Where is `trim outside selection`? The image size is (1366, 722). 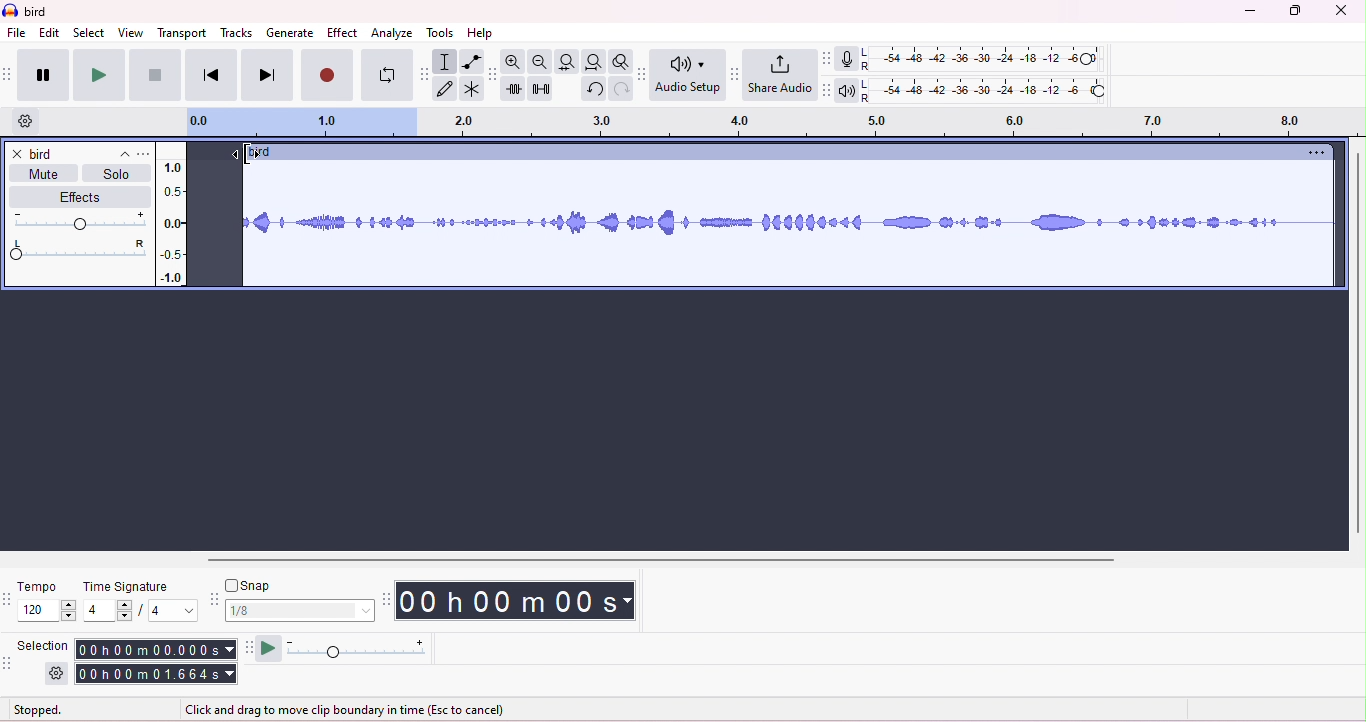
trim outside selection is located at coordinates (515, 90).